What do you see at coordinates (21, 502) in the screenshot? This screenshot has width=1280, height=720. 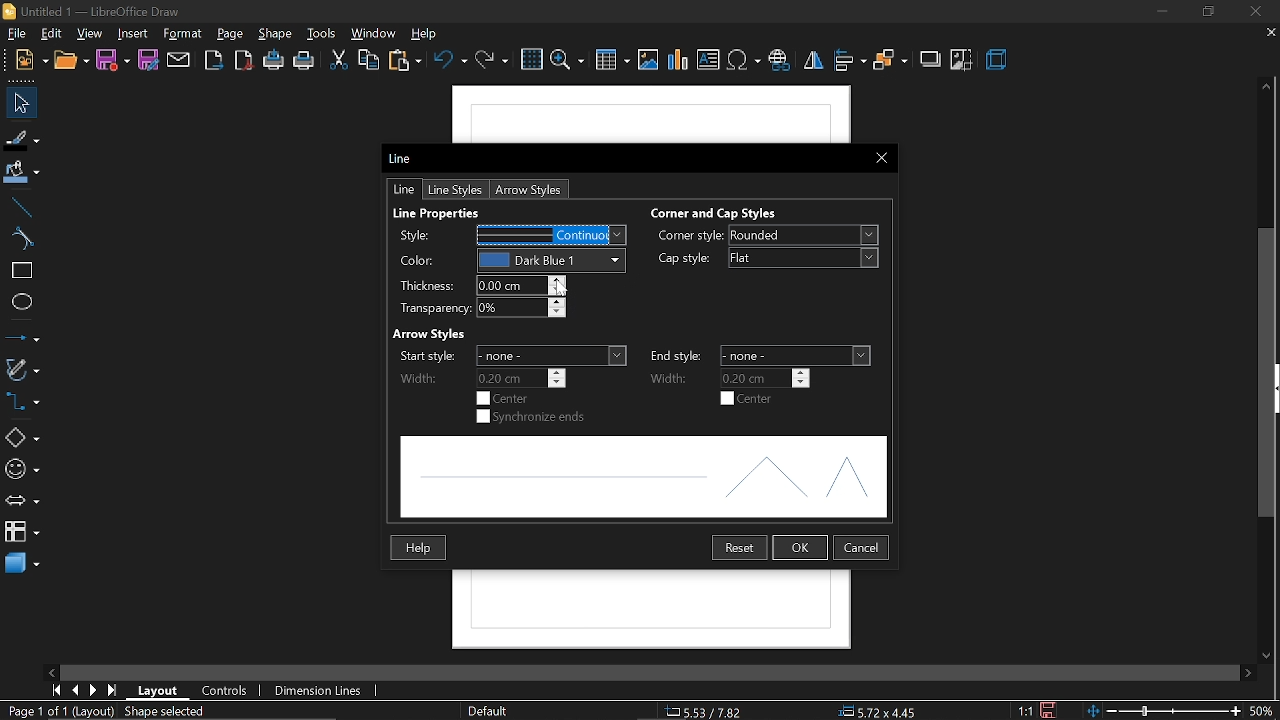 I see `arrows` at bounding box center [21, 502].